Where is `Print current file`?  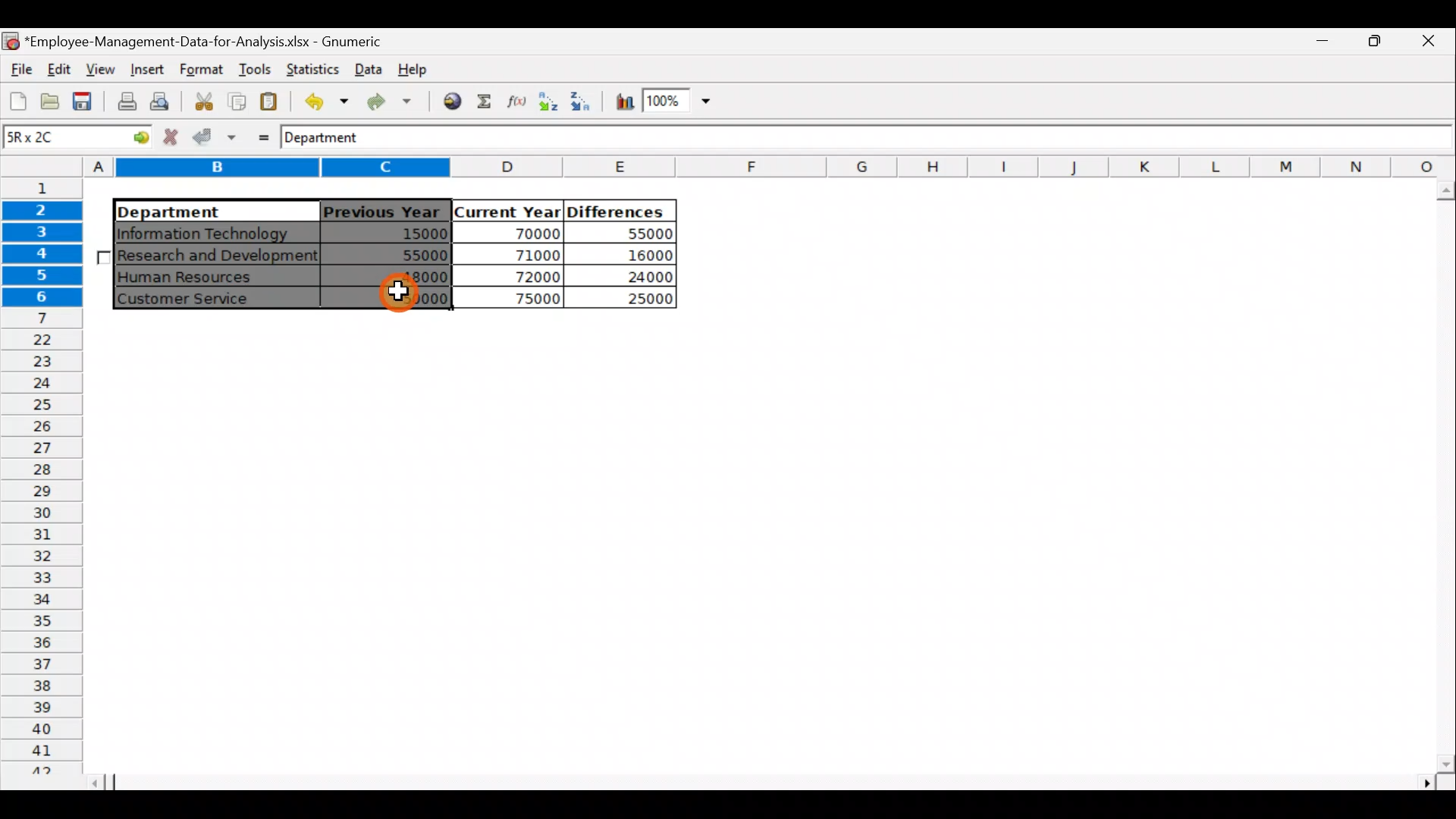 Print current file is located at coordinates (124, 103).